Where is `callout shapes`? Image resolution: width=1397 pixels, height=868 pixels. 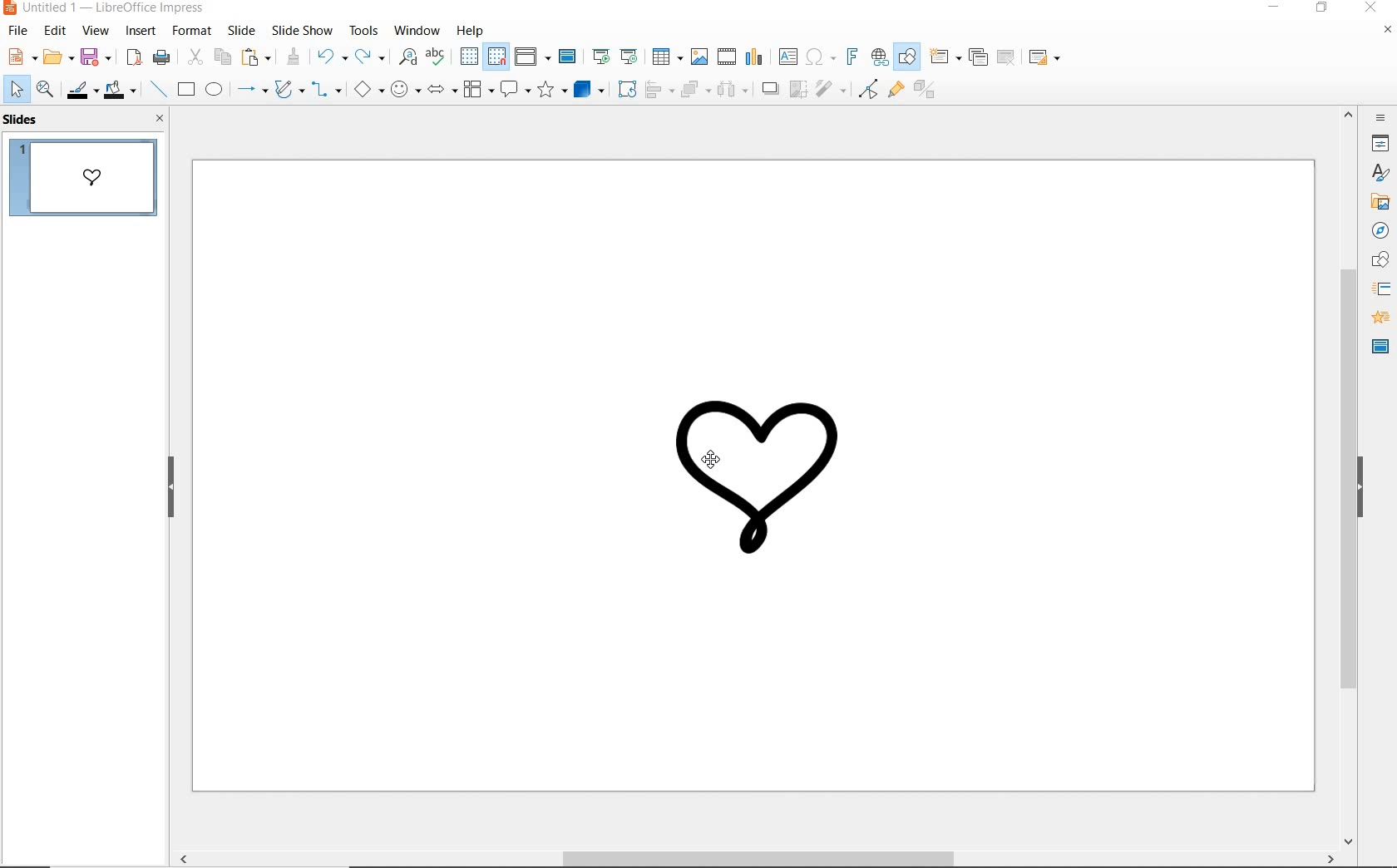 callout shapes is located at coordinates (515, 88).